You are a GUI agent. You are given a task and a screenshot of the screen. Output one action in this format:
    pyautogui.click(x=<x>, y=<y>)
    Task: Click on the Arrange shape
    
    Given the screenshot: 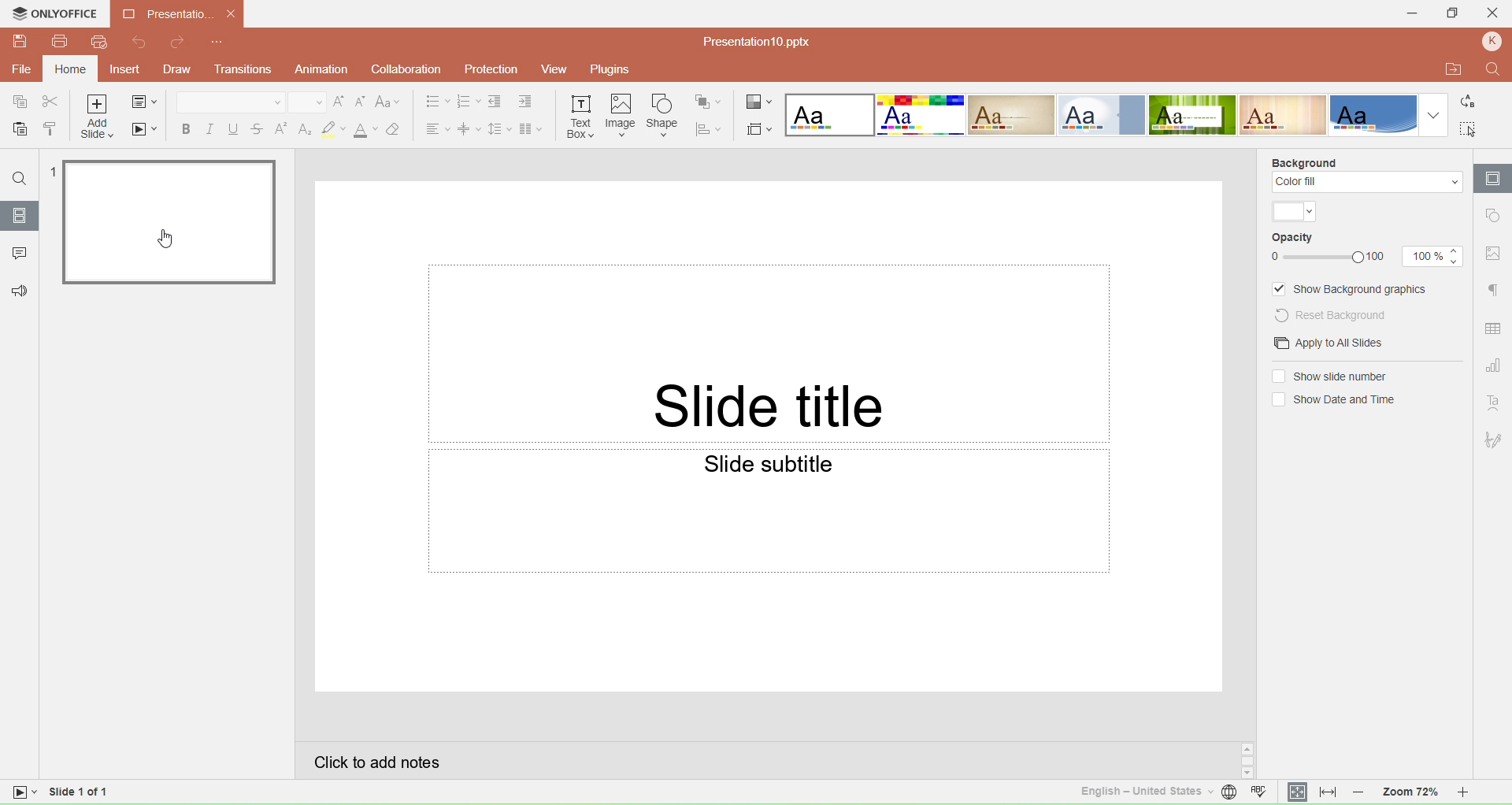 What is the action you would take?
    pyautogui.click(x=710, y=100)
    